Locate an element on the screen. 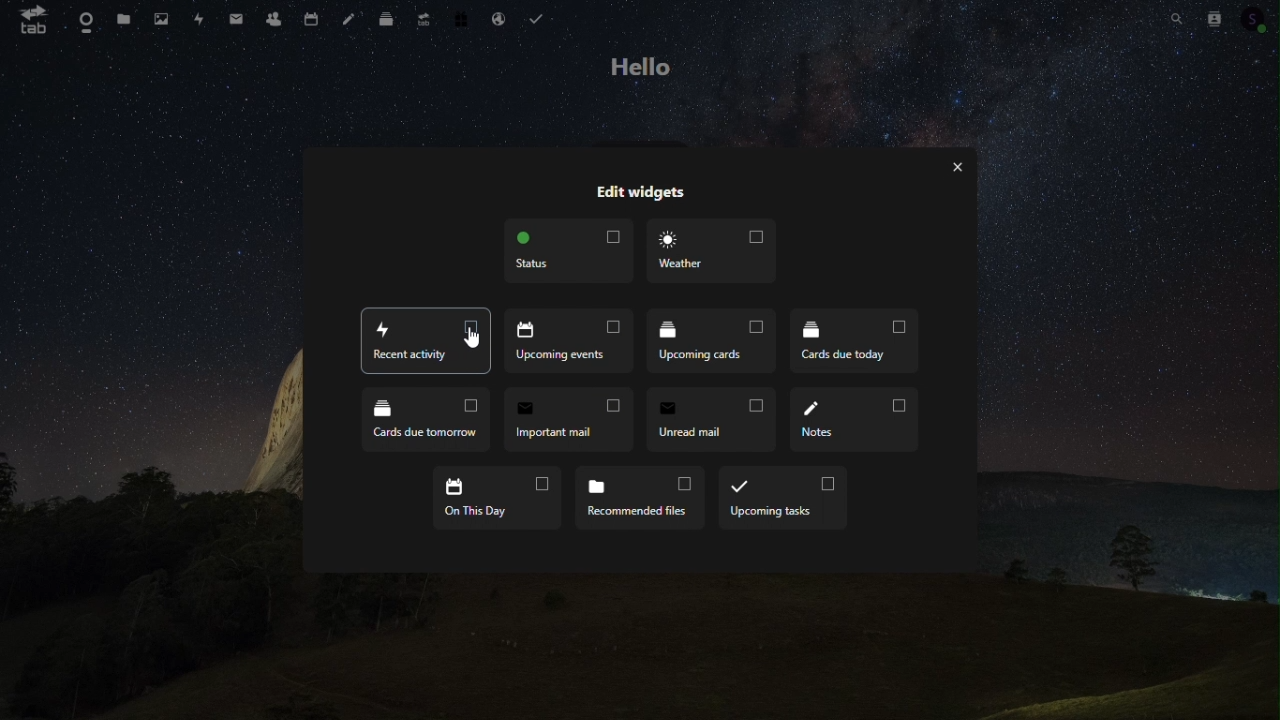  Important mail is located at coordinates (567, 422).